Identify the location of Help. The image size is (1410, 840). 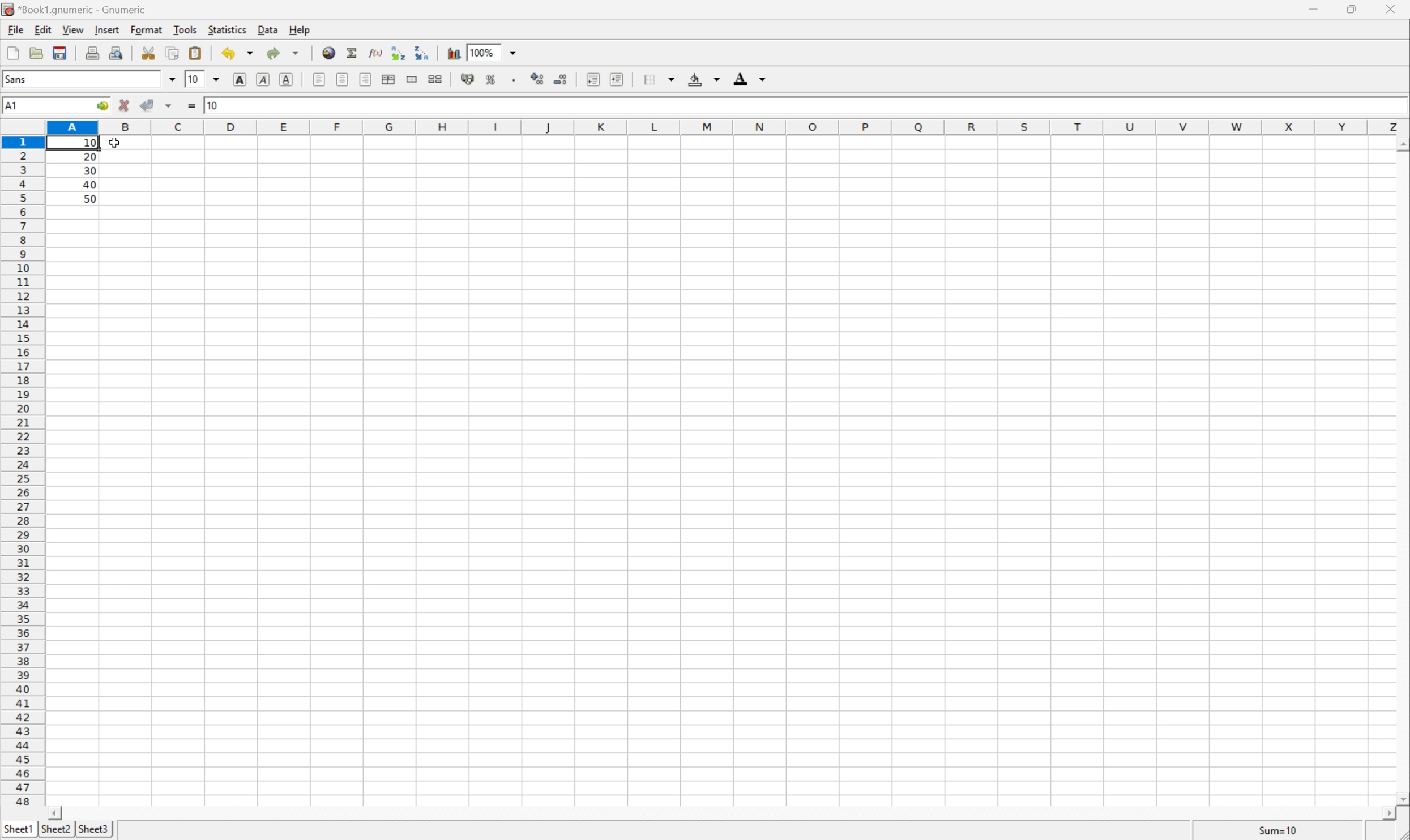
(298, 29).